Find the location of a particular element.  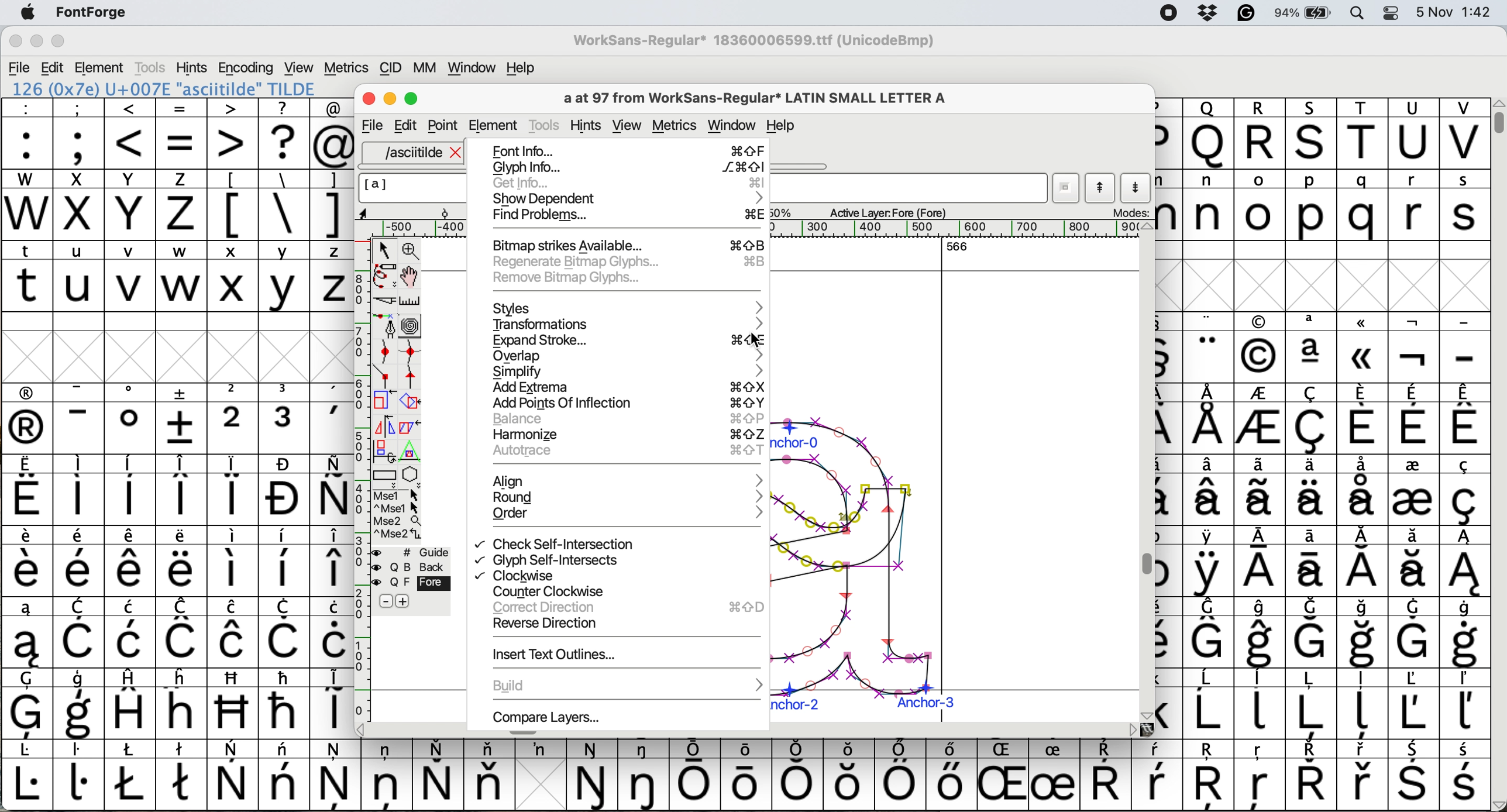

= is located at coordinates (183, 134).